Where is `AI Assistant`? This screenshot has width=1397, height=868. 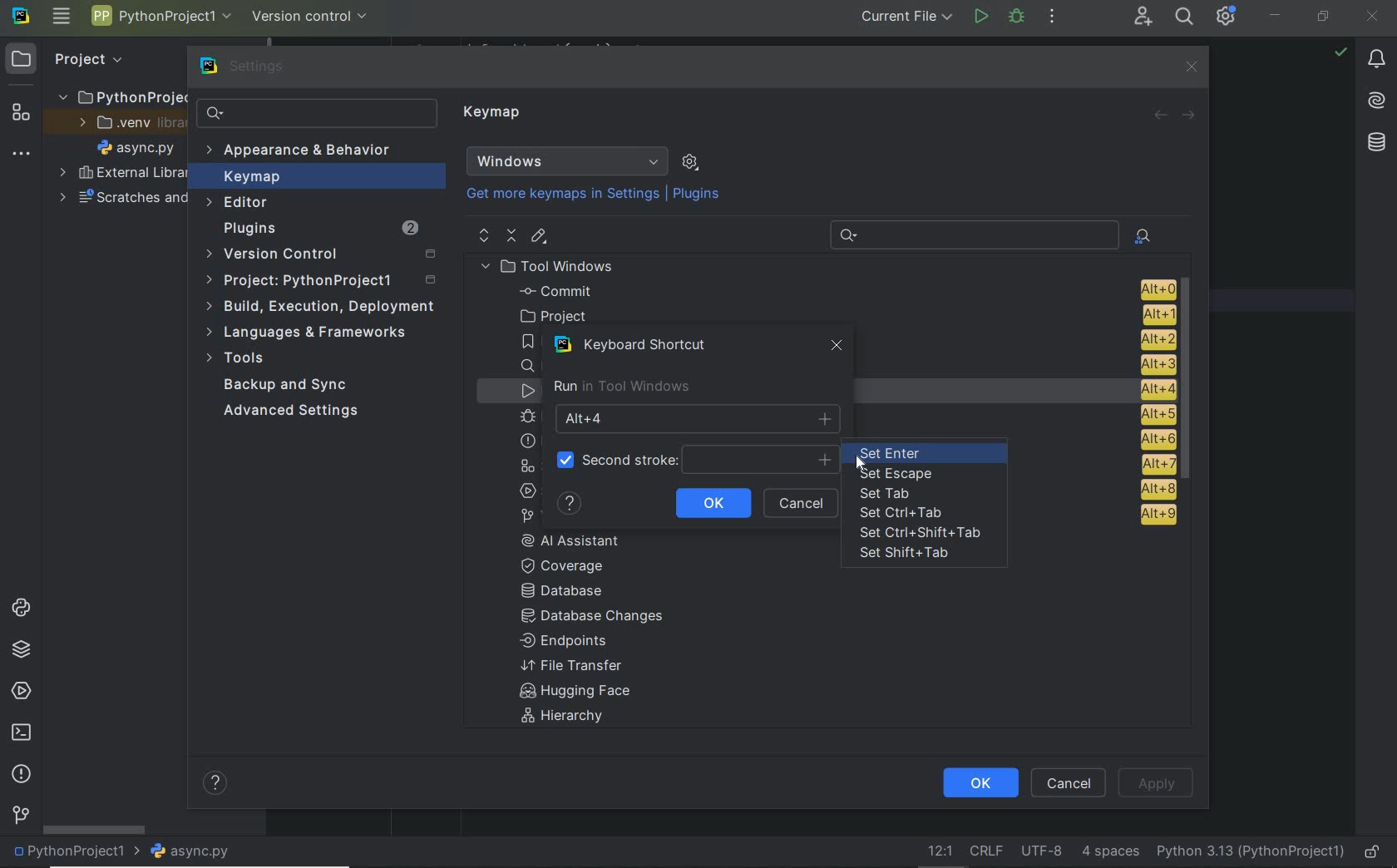 AI Assistant is located at coordinates (1378, 102).